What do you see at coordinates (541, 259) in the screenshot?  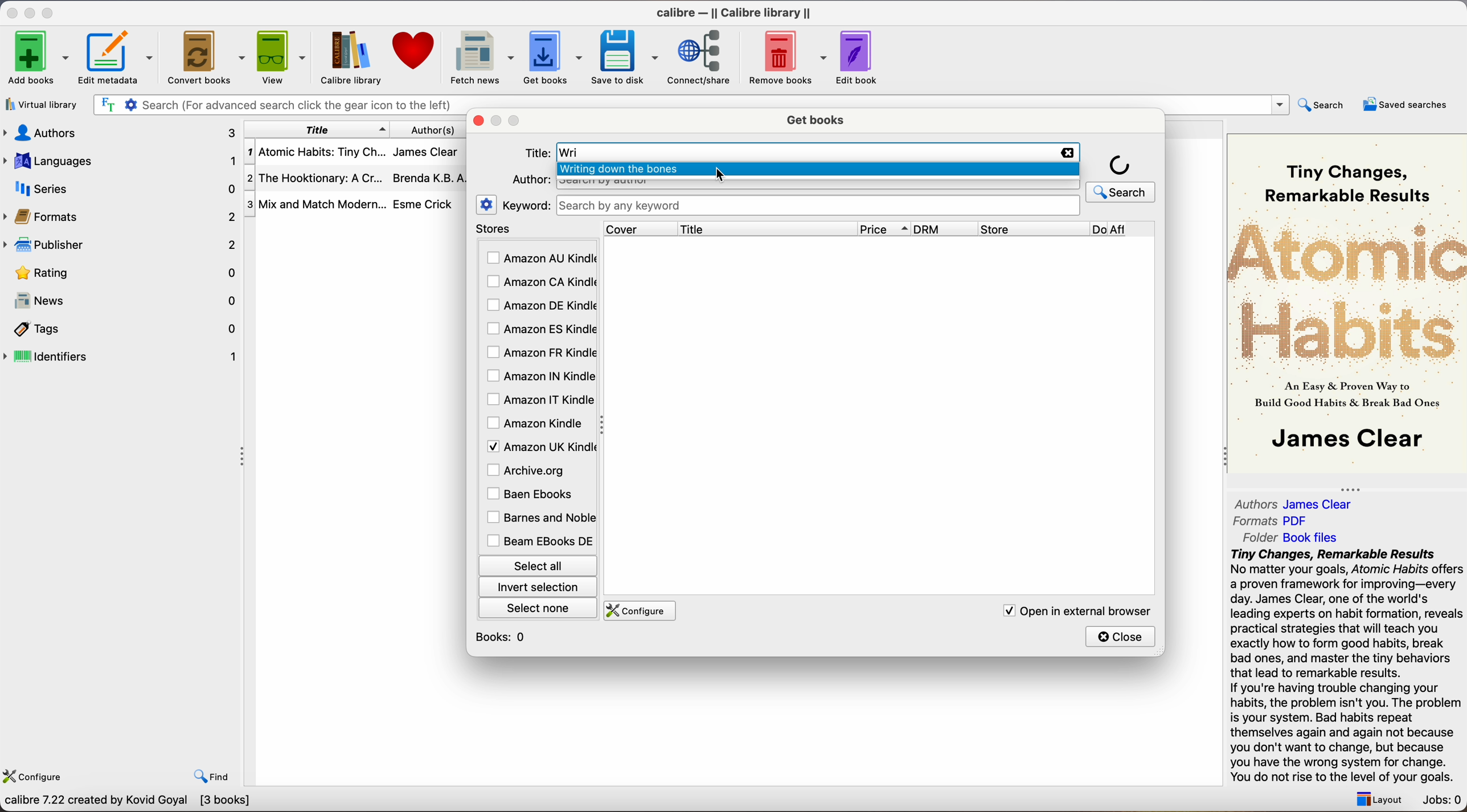 I see `amazon AU Kindle` at bounding box center [541, 259].